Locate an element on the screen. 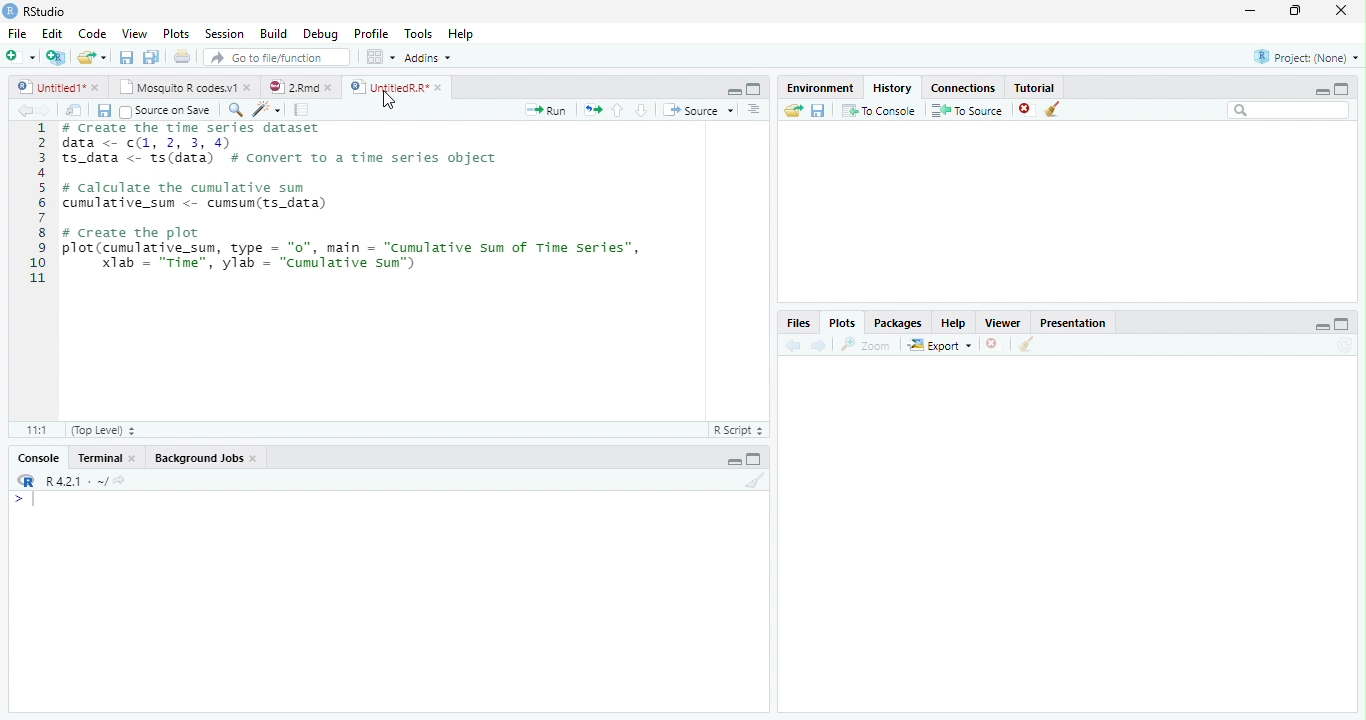  Debug is located at coordinates (324, 35).